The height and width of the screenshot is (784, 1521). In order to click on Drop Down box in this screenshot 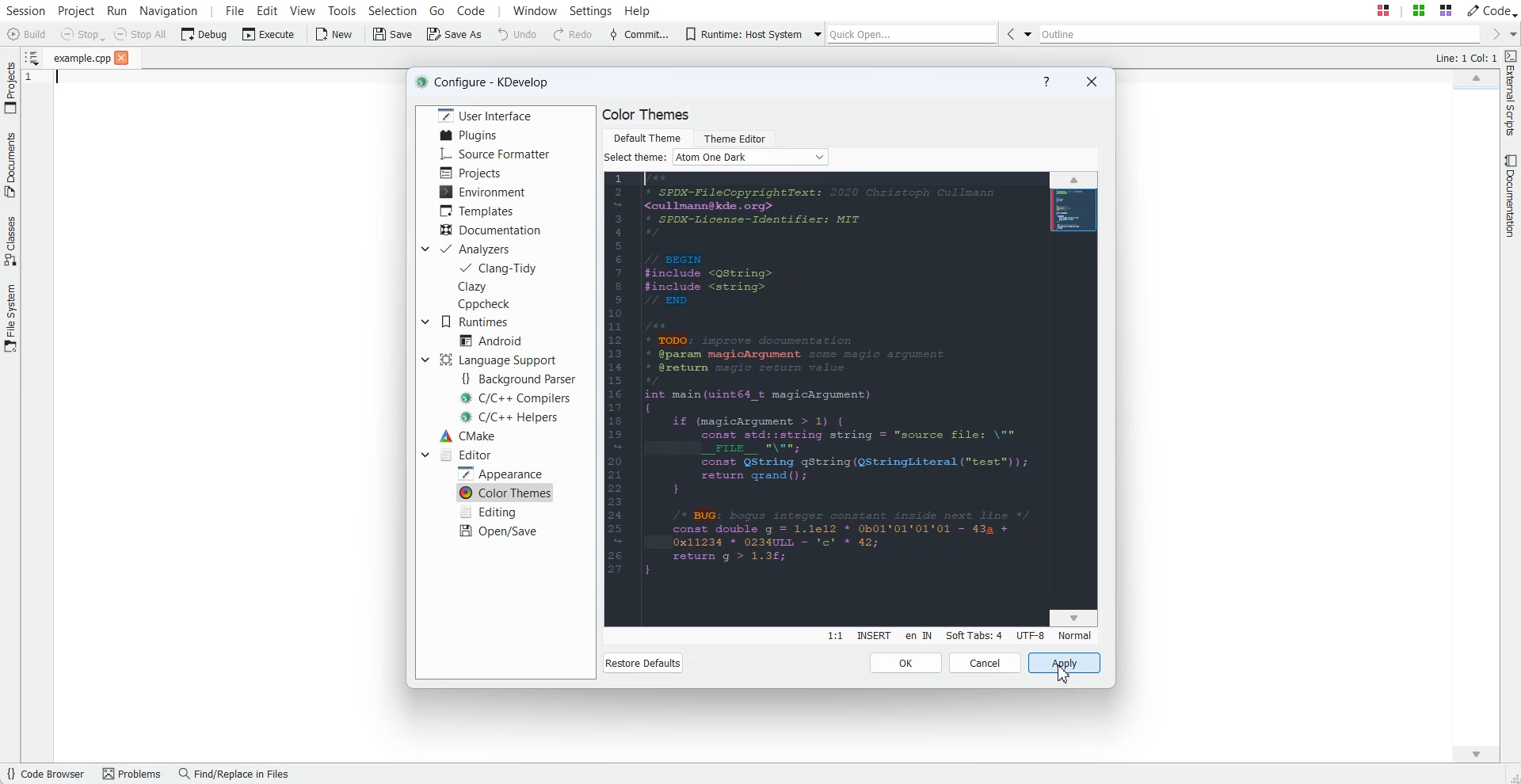, I will do `click(425, 454)`.